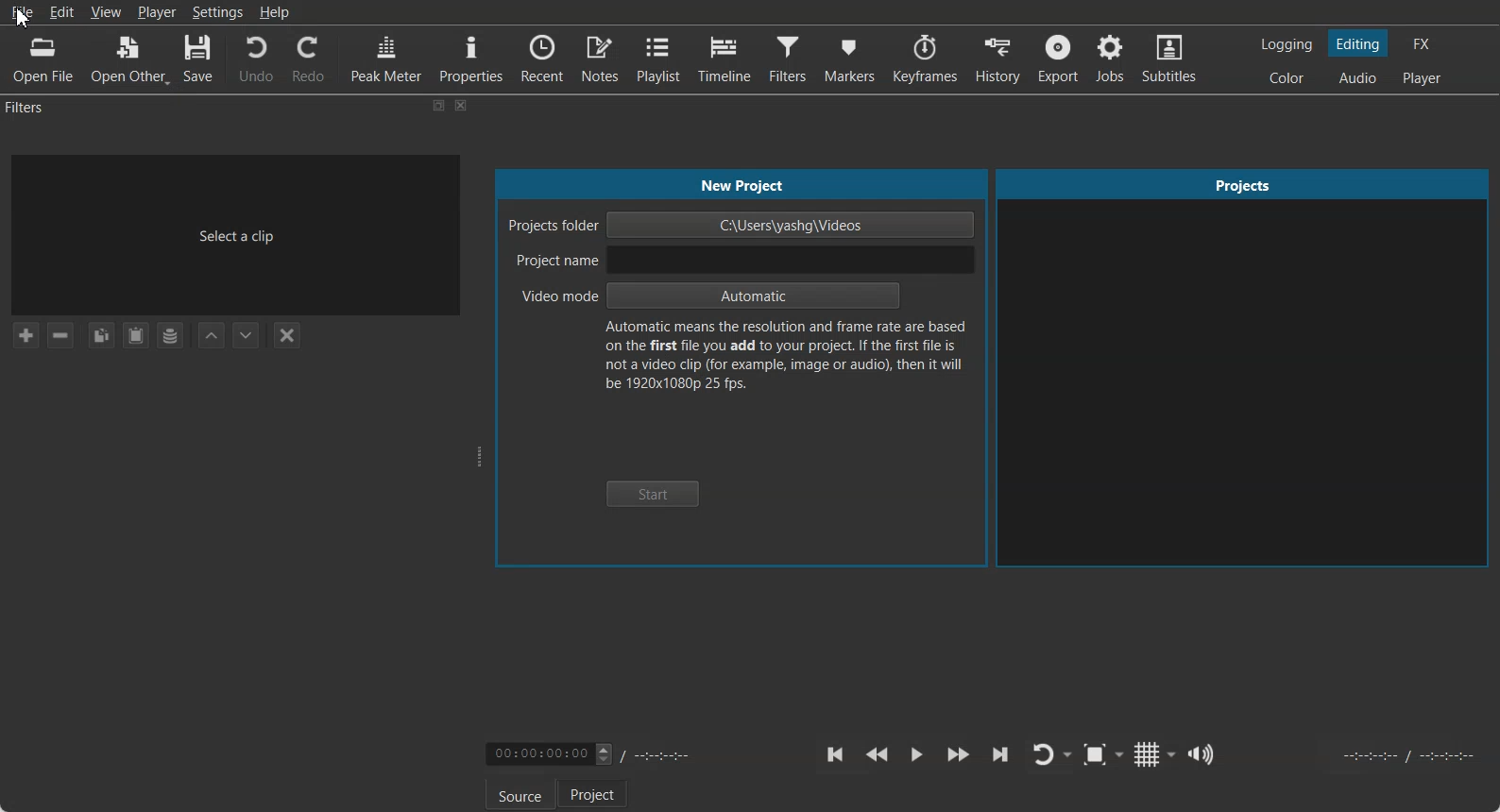 This screenshot has height=812, width=1500. What do you see at coordinates (1000, 59) in the screenshot?
I see `History` at bounding box center [1000, 59].